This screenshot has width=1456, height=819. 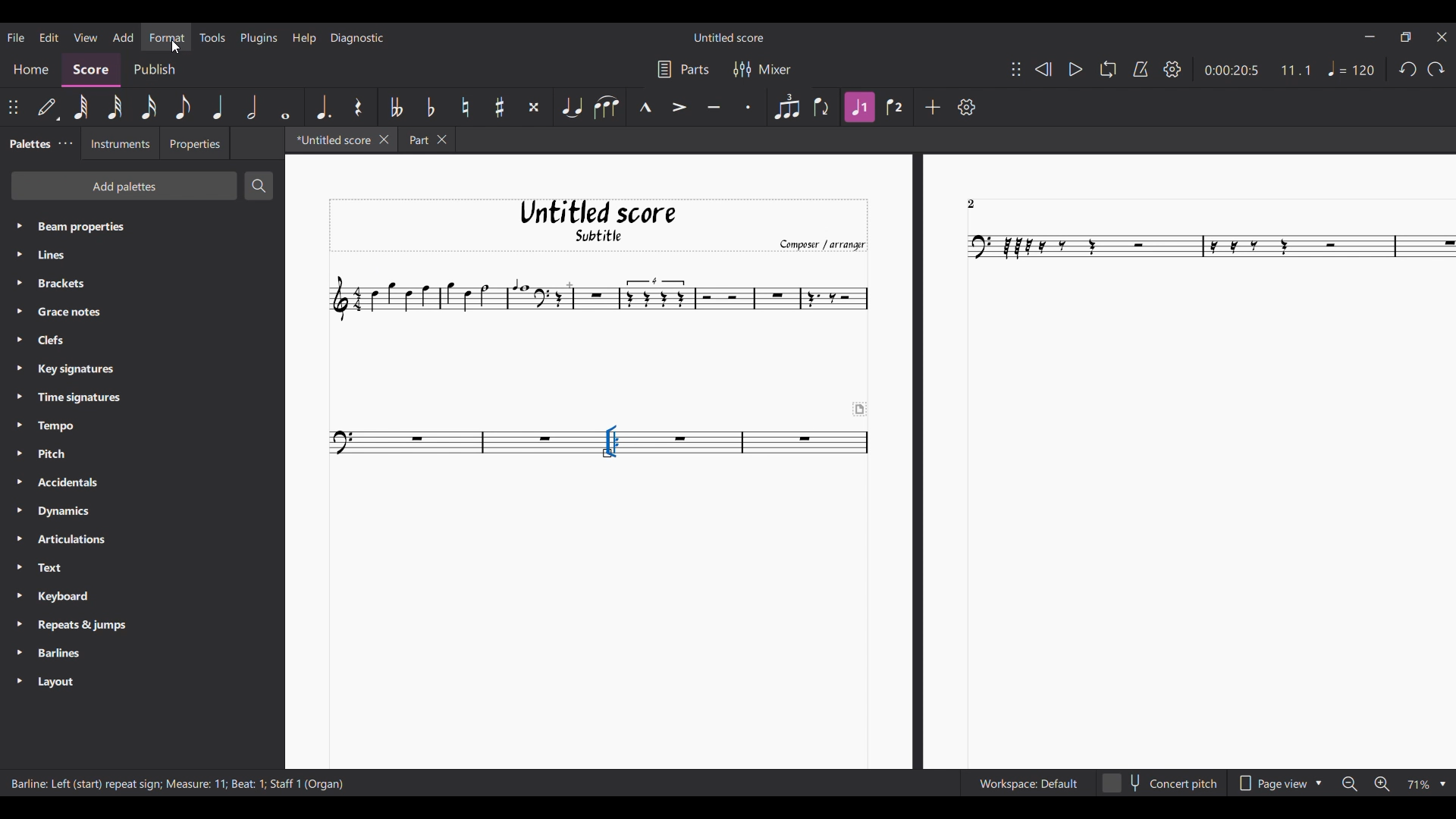 What do you see at coordinates (1108, 69) in the screenshot?
I see `Loop playback` at bounding box center [1108, 69].